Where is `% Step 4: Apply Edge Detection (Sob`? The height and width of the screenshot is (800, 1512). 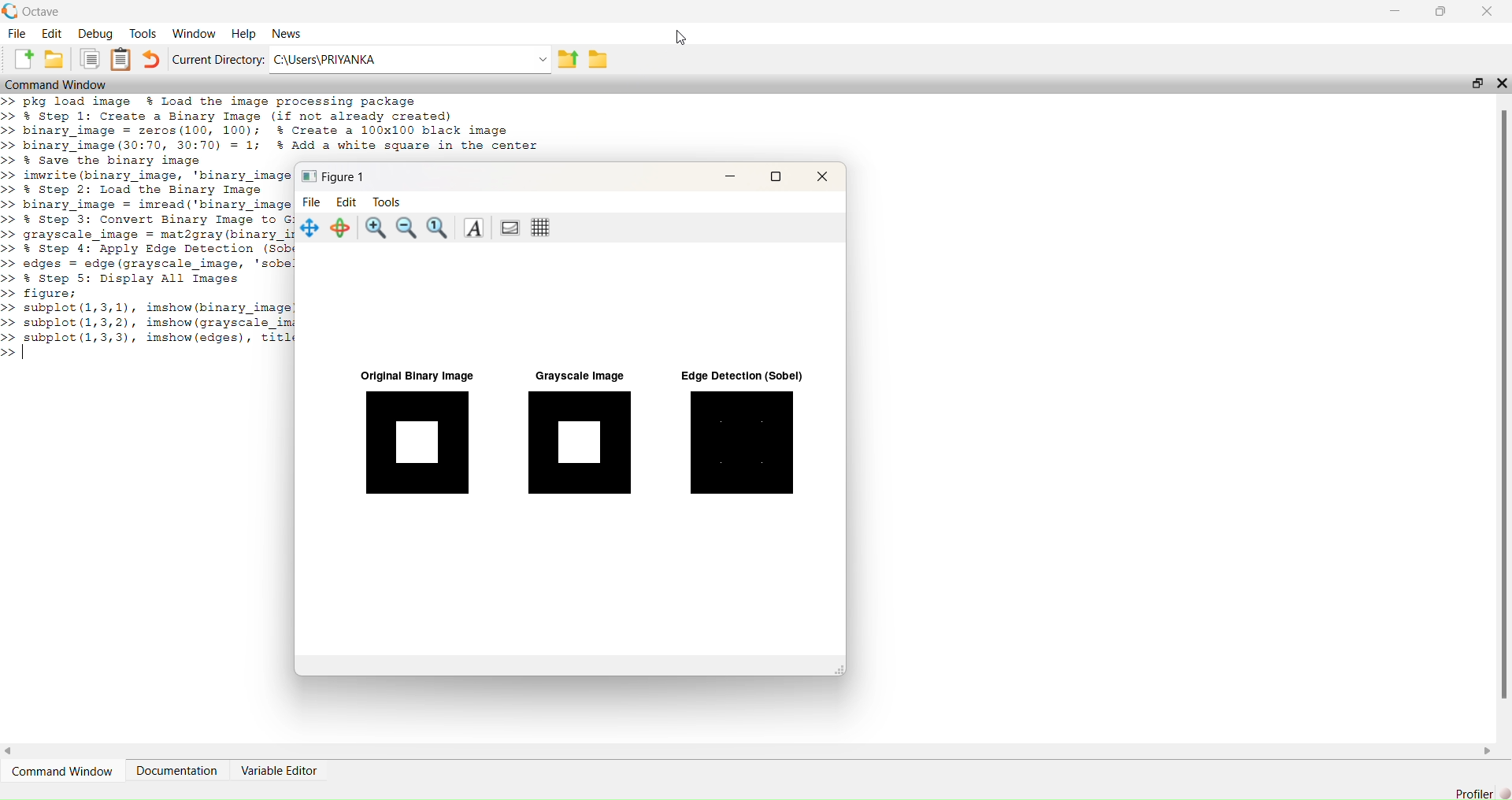 % Step 4: Apply Edge Detection (Sob is located at coordinates (159, 250).